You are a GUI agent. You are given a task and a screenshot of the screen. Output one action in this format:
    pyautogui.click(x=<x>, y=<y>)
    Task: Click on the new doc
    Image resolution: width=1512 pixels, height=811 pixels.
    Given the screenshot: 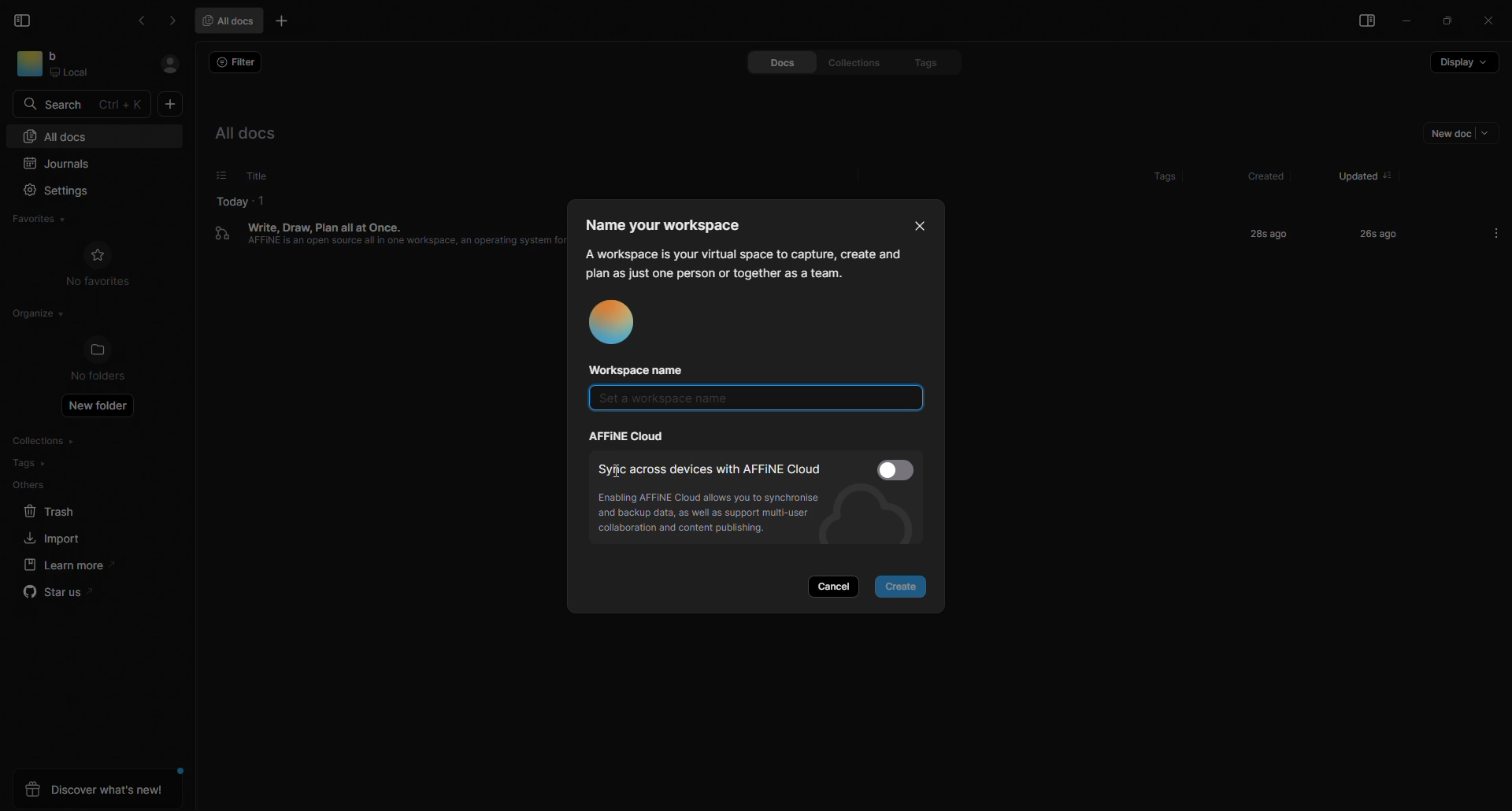 What is the action you would take?
    pyautogui.click(x=171, y=106)
    